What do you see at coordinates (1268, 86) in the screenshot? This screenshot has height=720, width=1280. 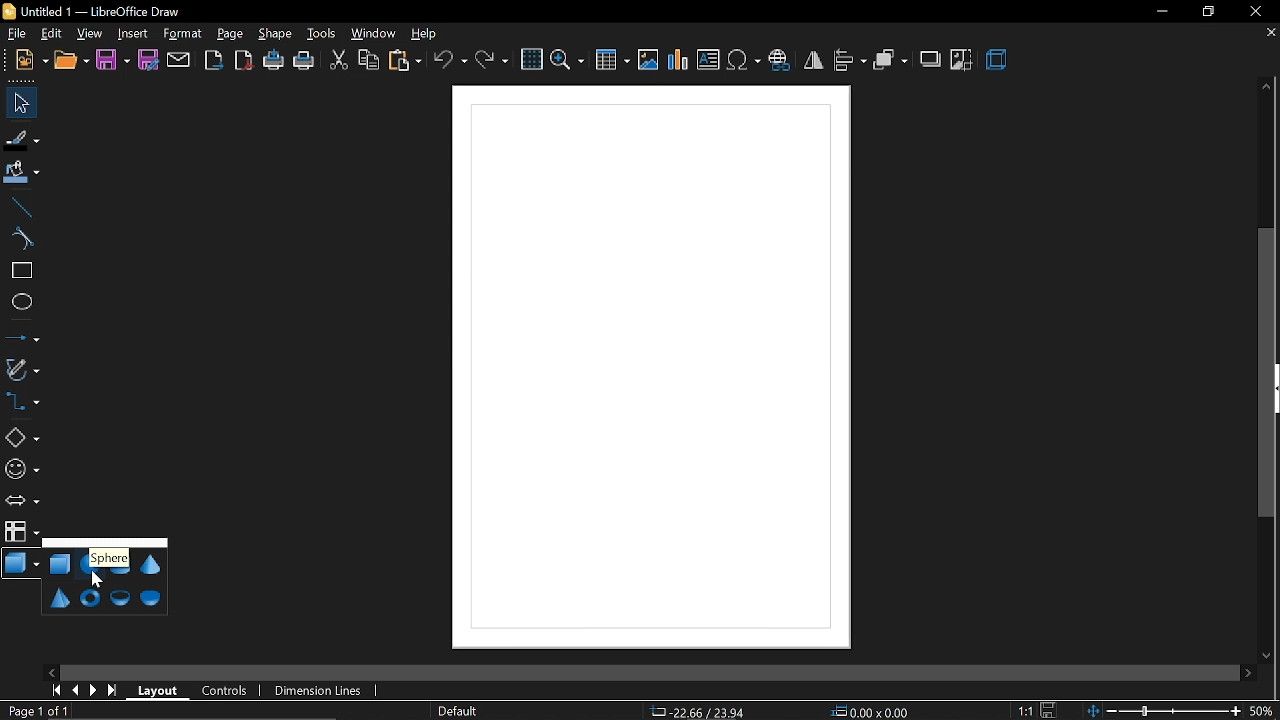 I see `move up` at bounding box center [1268, 86].